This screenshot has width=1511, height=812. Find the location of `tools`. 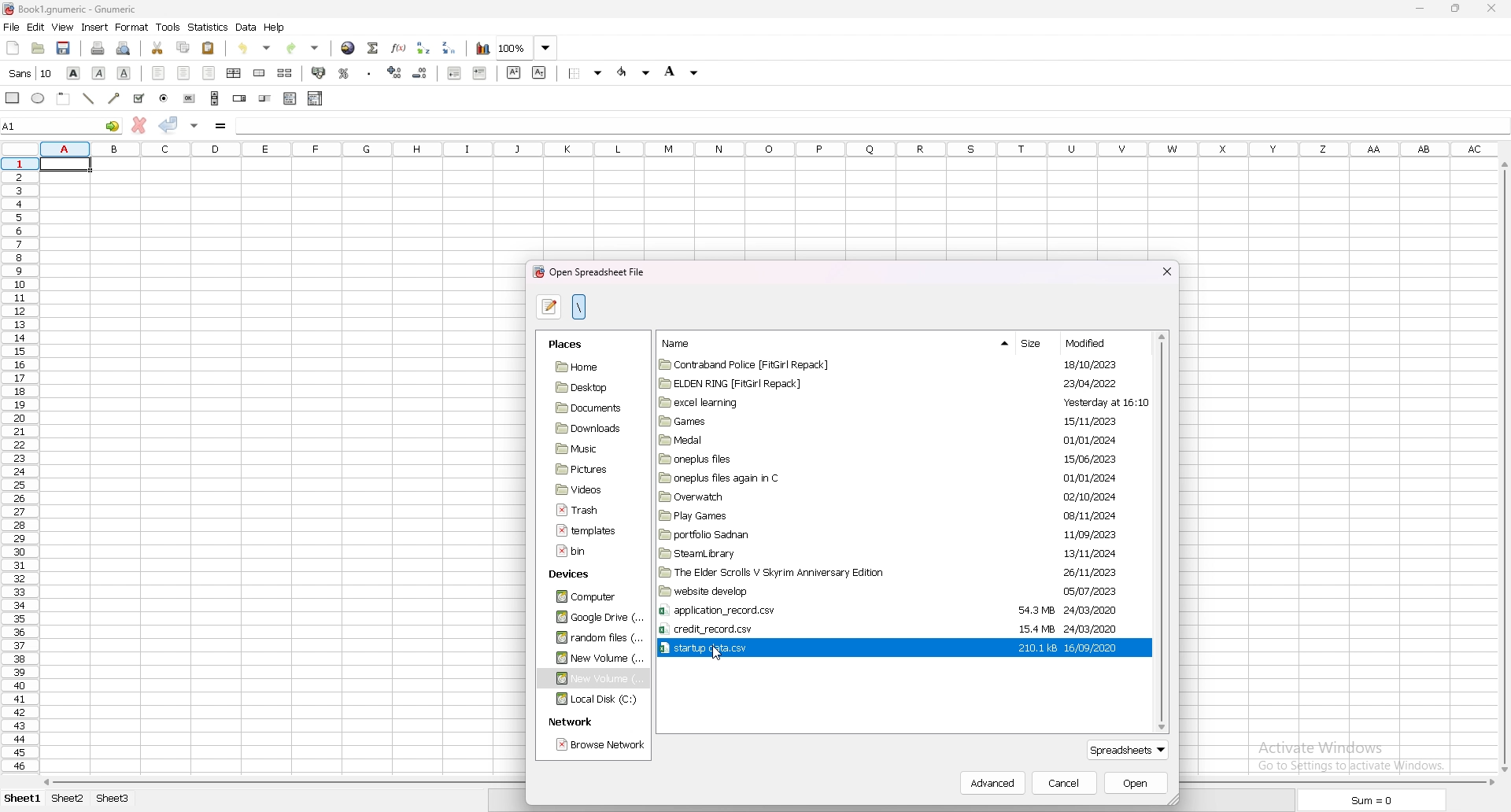

tools is located at coordinates (168, 28).